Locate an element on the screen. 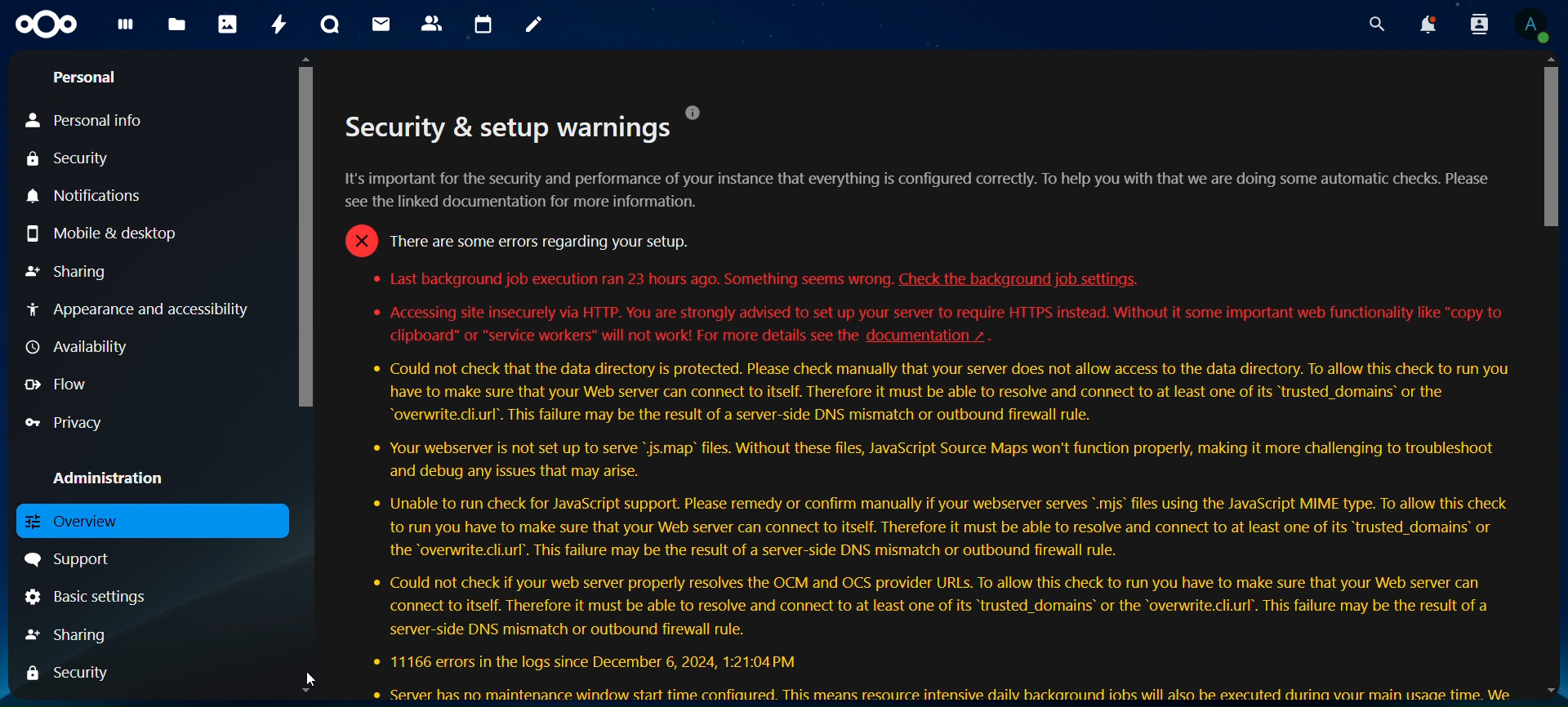 The height and width of the screenshot is (707, 1568). administration is located at coordinates (117, 480).